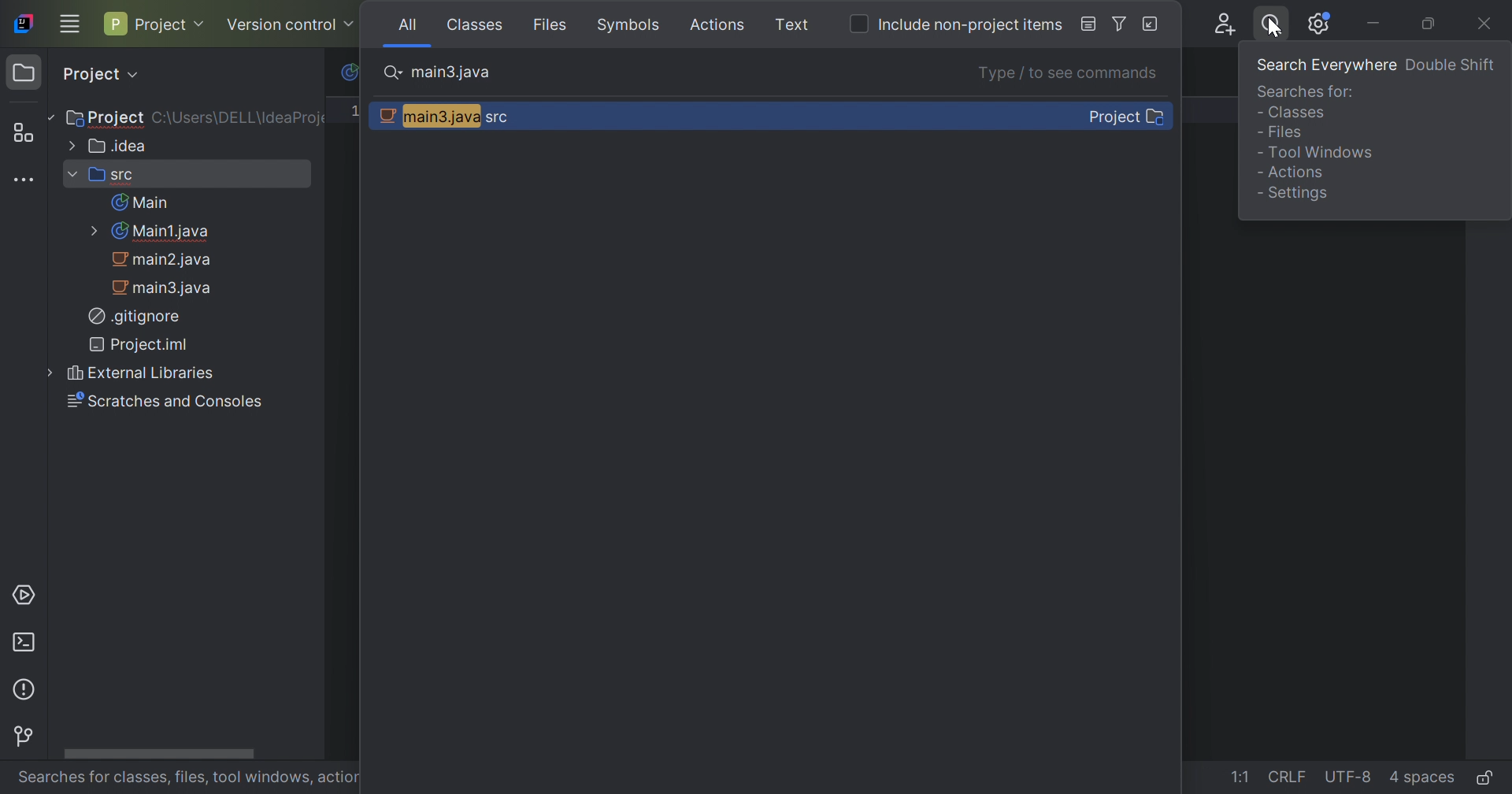 The image size is (1512, 794). I want to click on Horizontal Scroll bar, so click(157, 752).